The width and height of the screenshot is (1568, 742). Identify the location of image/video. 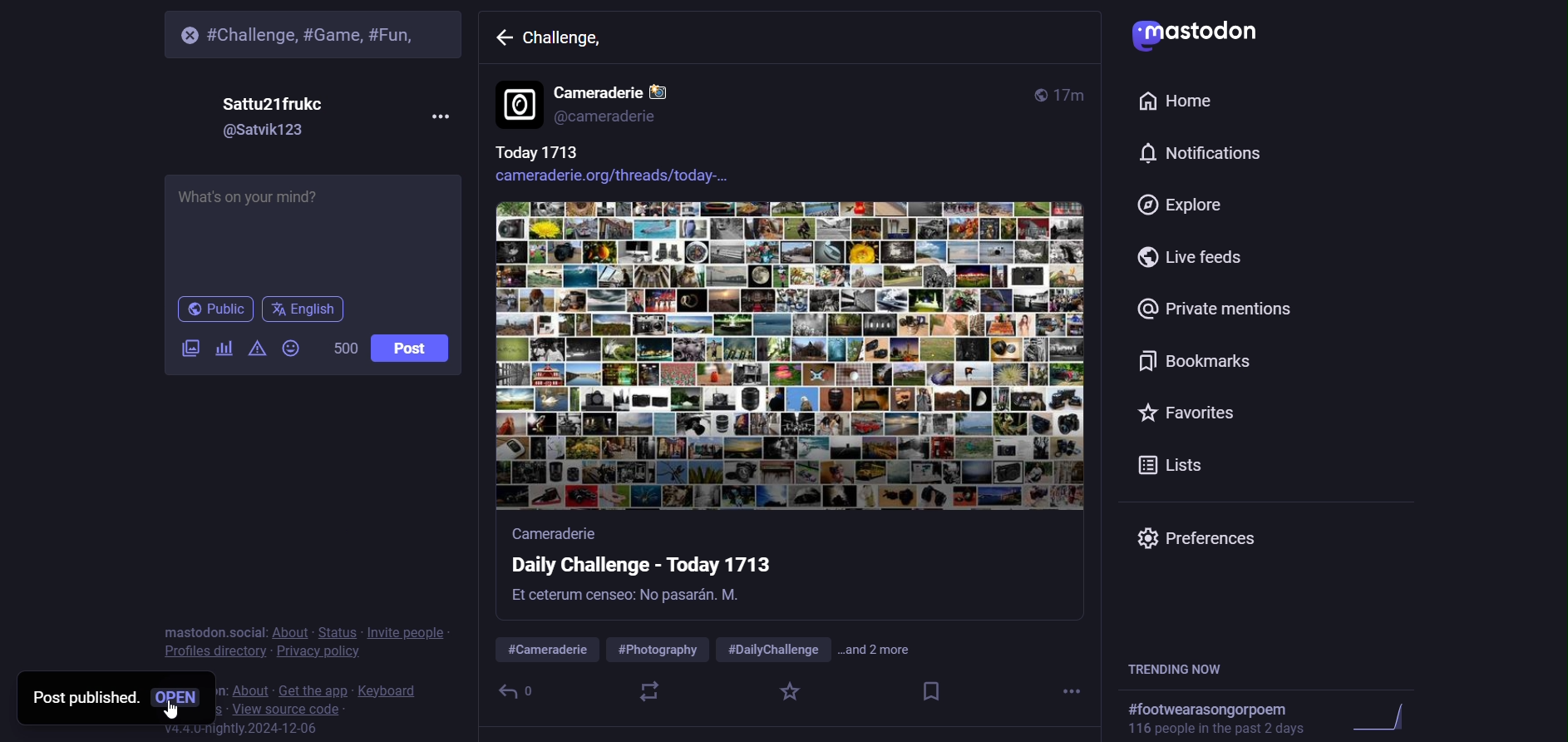
(182, 349).